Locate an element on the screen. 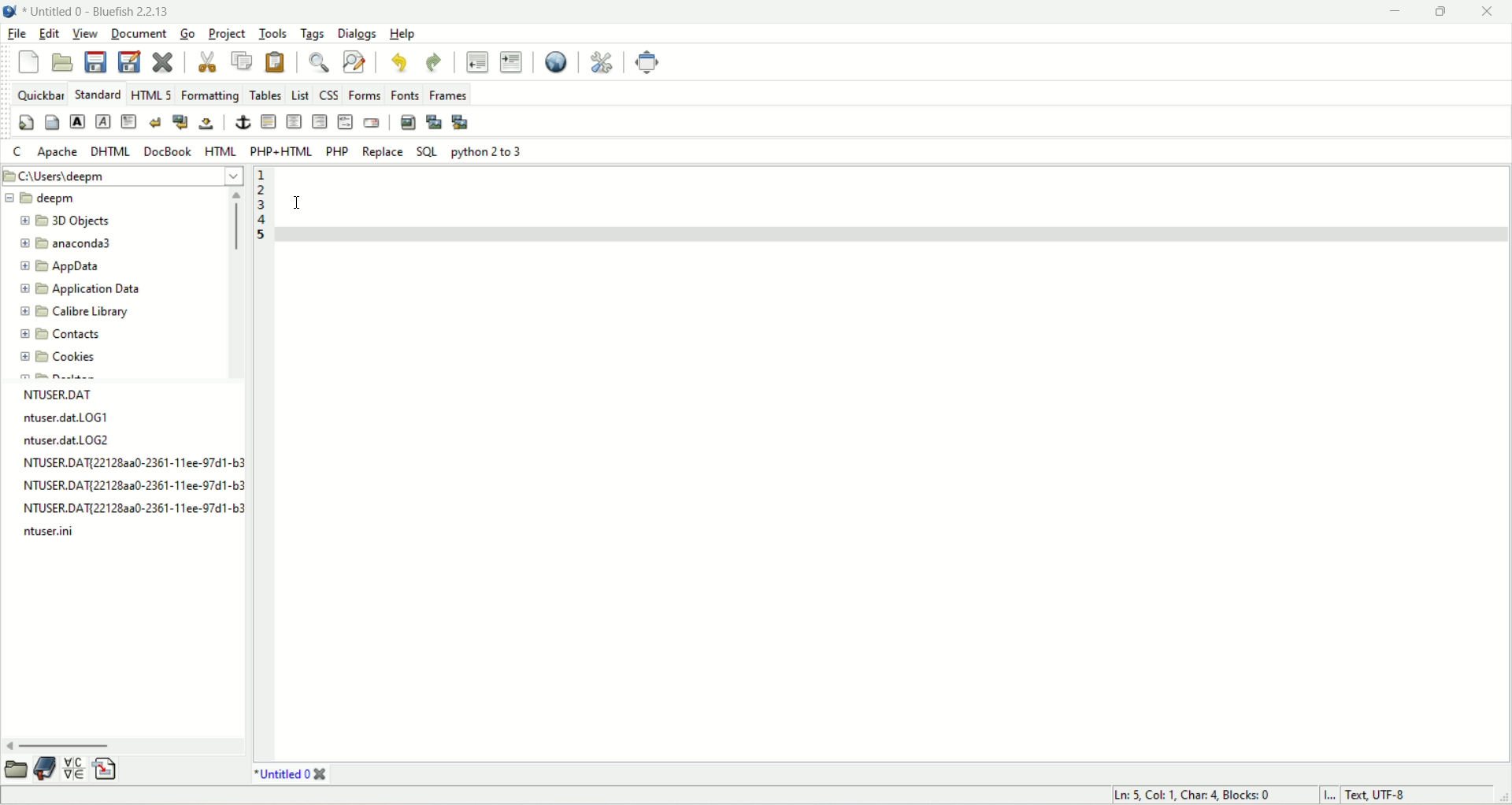 This screenshot has width=1512, height=805. body is located at coordinates (53, 123).